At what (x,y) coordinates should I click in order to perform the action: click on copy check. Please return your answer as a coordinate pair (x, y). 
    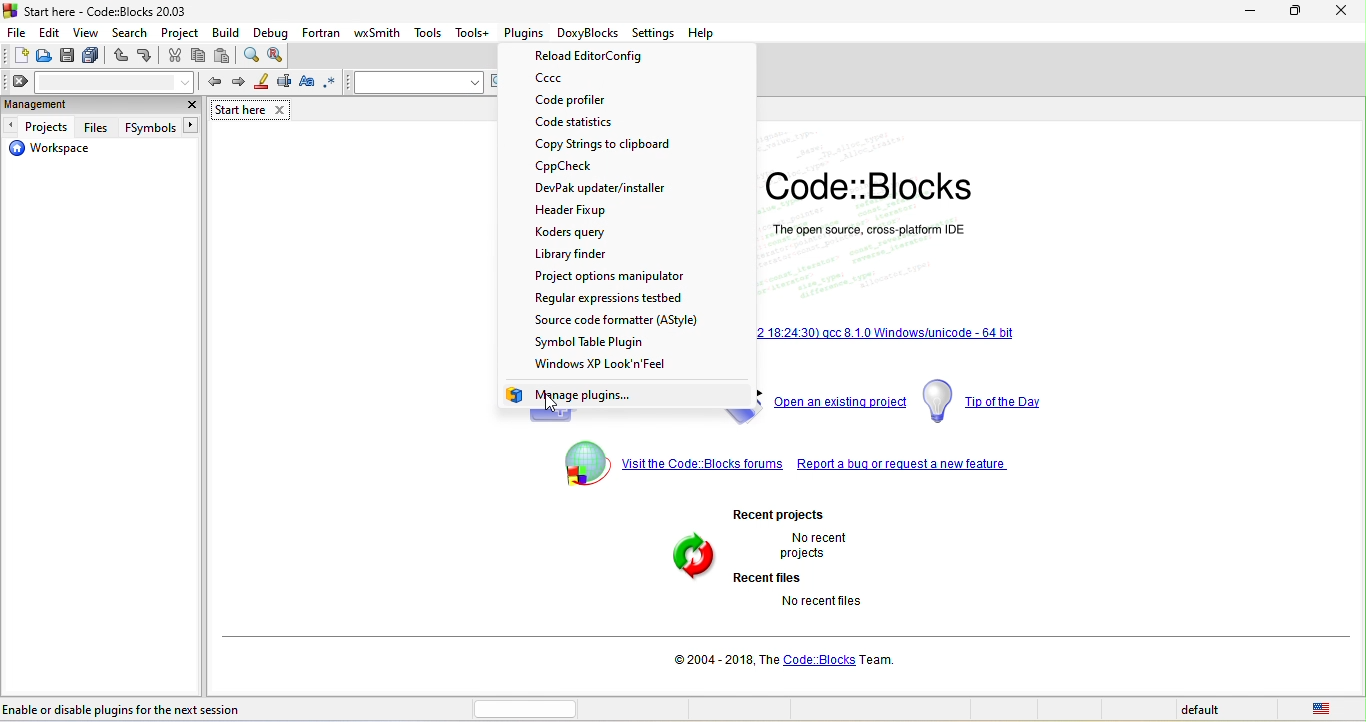
    Looking at the image, I should click on (584, 167).